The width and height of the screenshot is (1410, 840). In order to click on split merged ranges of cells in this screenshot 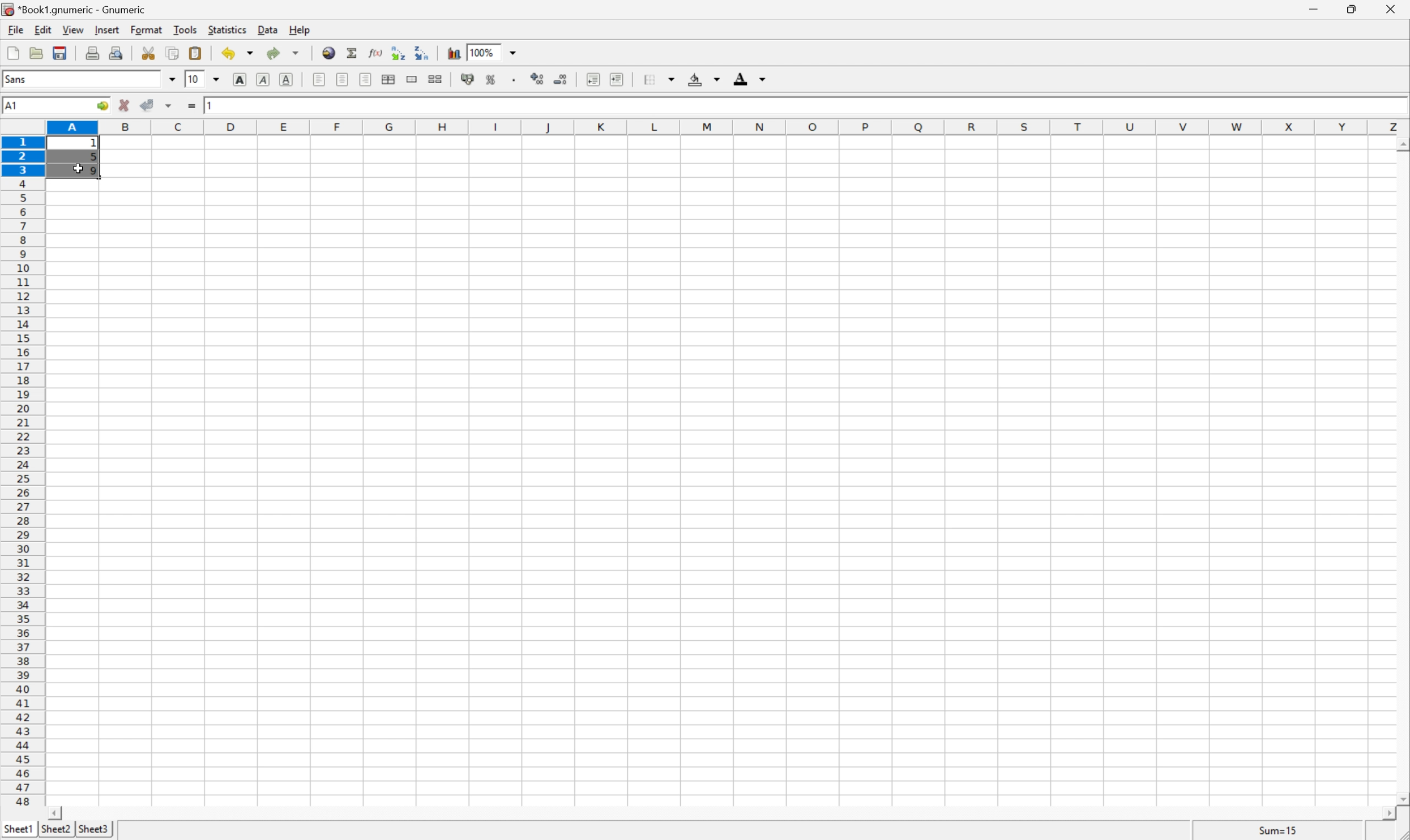, I will do `click(437, 78)`.